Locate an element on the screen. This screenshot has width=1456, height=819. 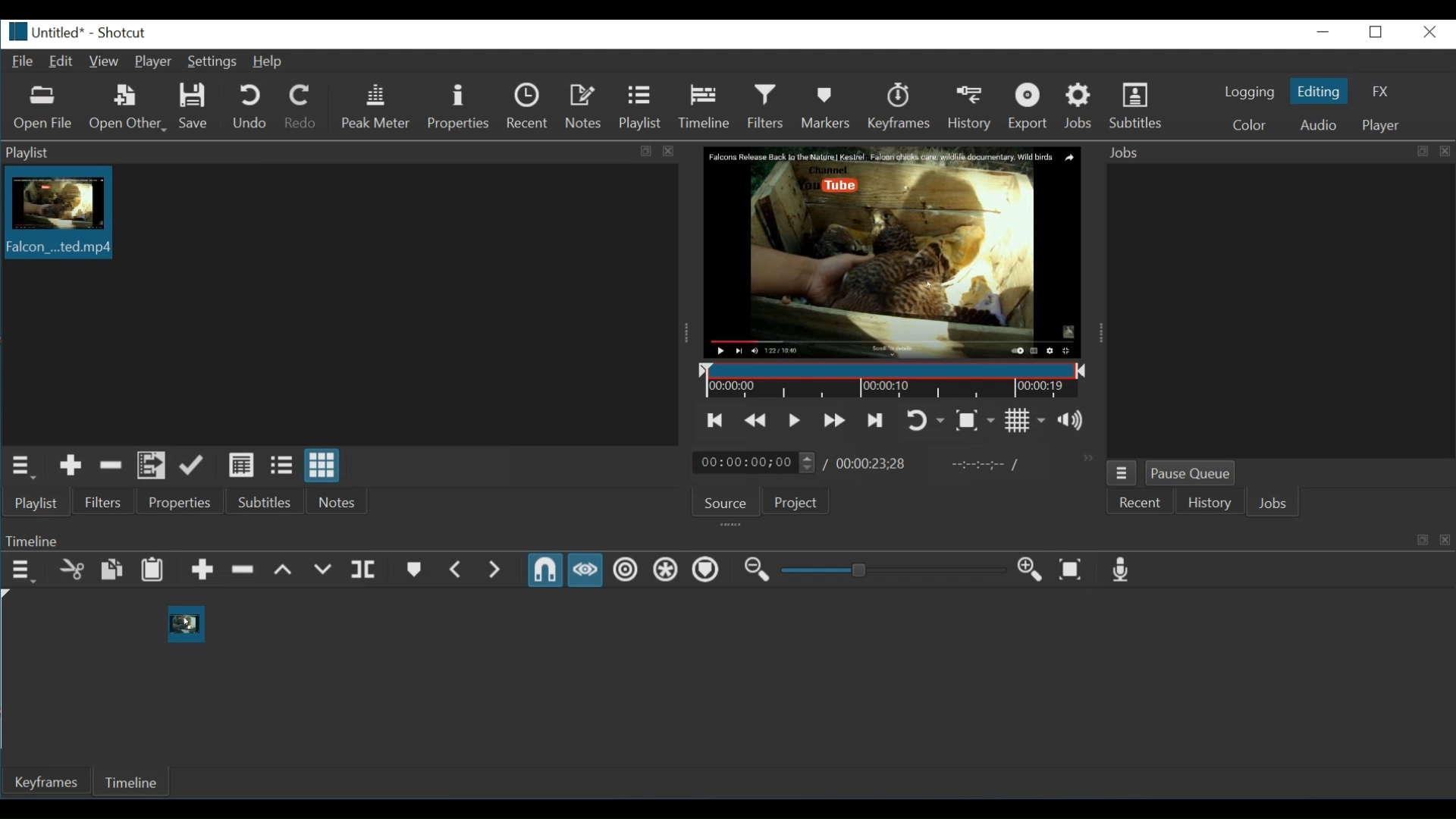
Recent is located at coordinates (529, 106).